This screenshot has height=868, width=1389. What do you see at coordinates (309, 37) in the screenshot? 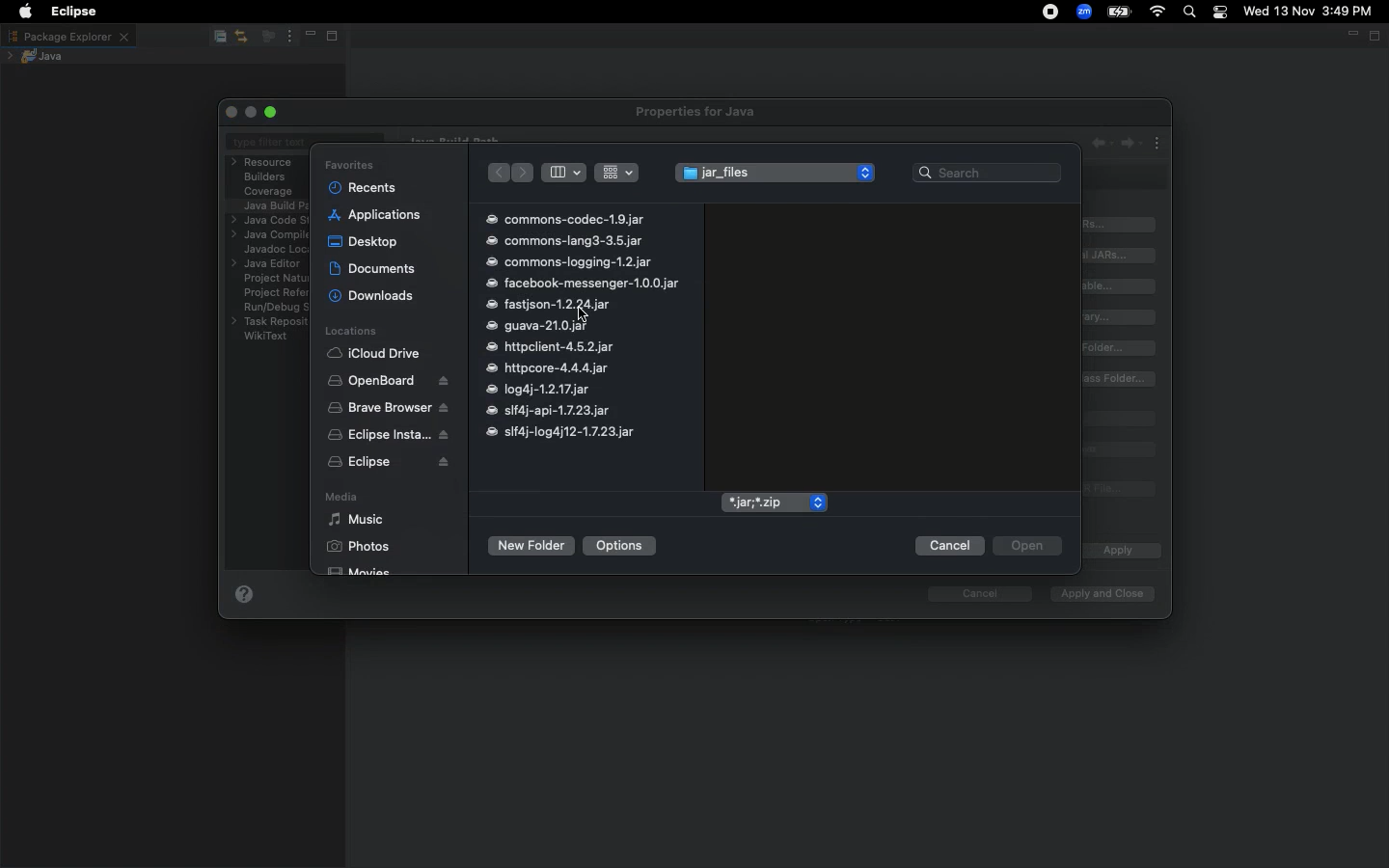
I see `Minimize` at bounding box center [309, 37].